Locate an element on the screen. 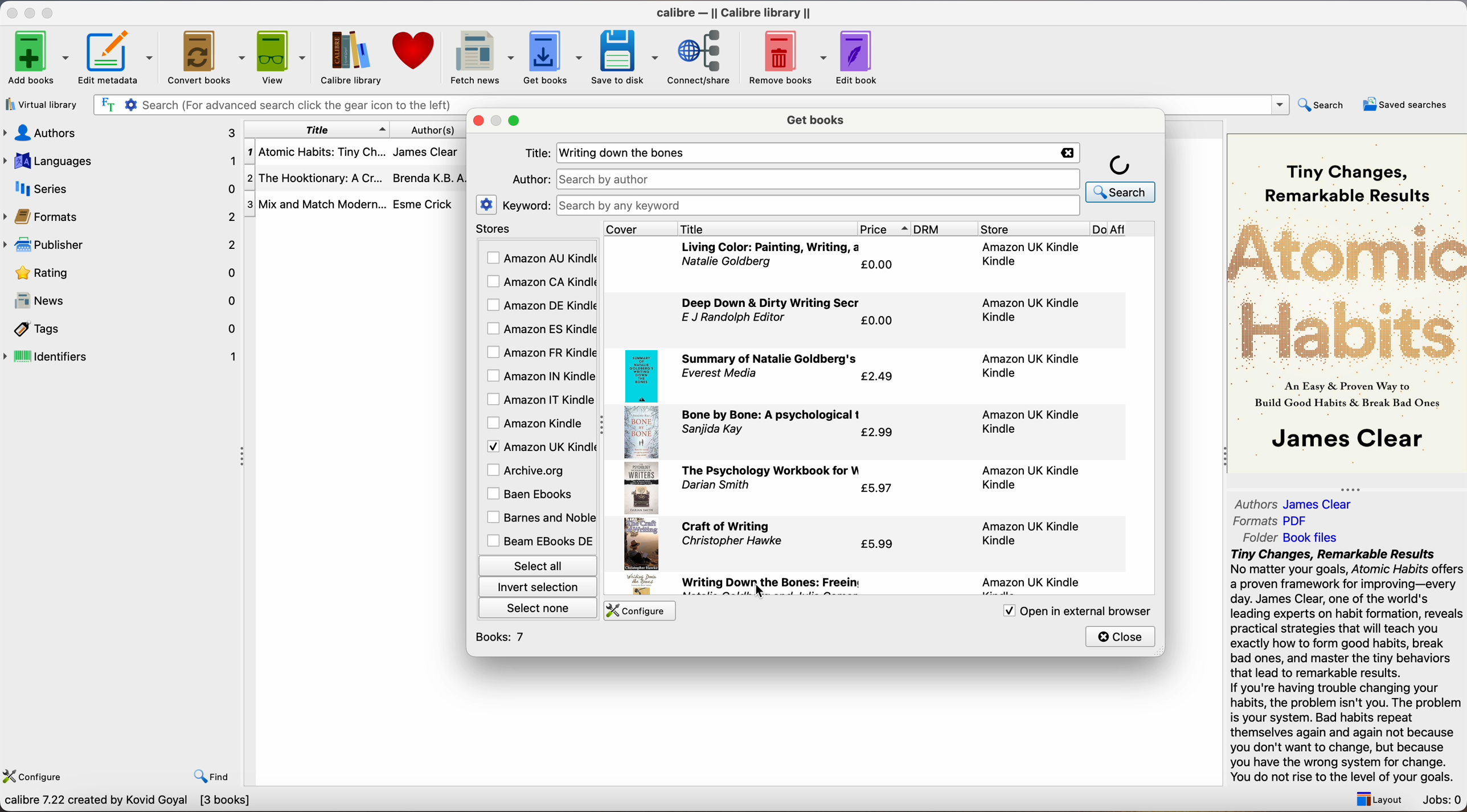 This screenshot has width=1467, height=812. Amazon CA Kindle is located at coordinates (540, 283).